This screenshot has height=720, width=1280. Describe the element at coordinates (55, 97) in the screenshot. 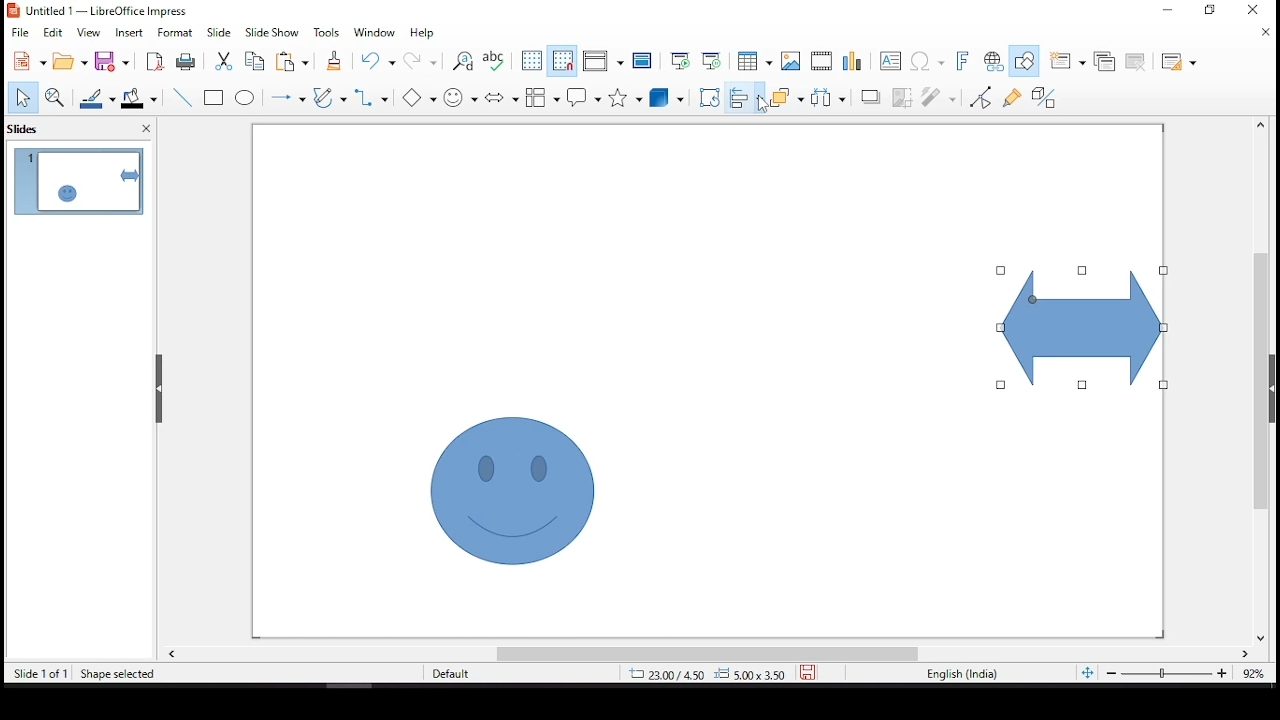

I see `zoom and pan` at that location.